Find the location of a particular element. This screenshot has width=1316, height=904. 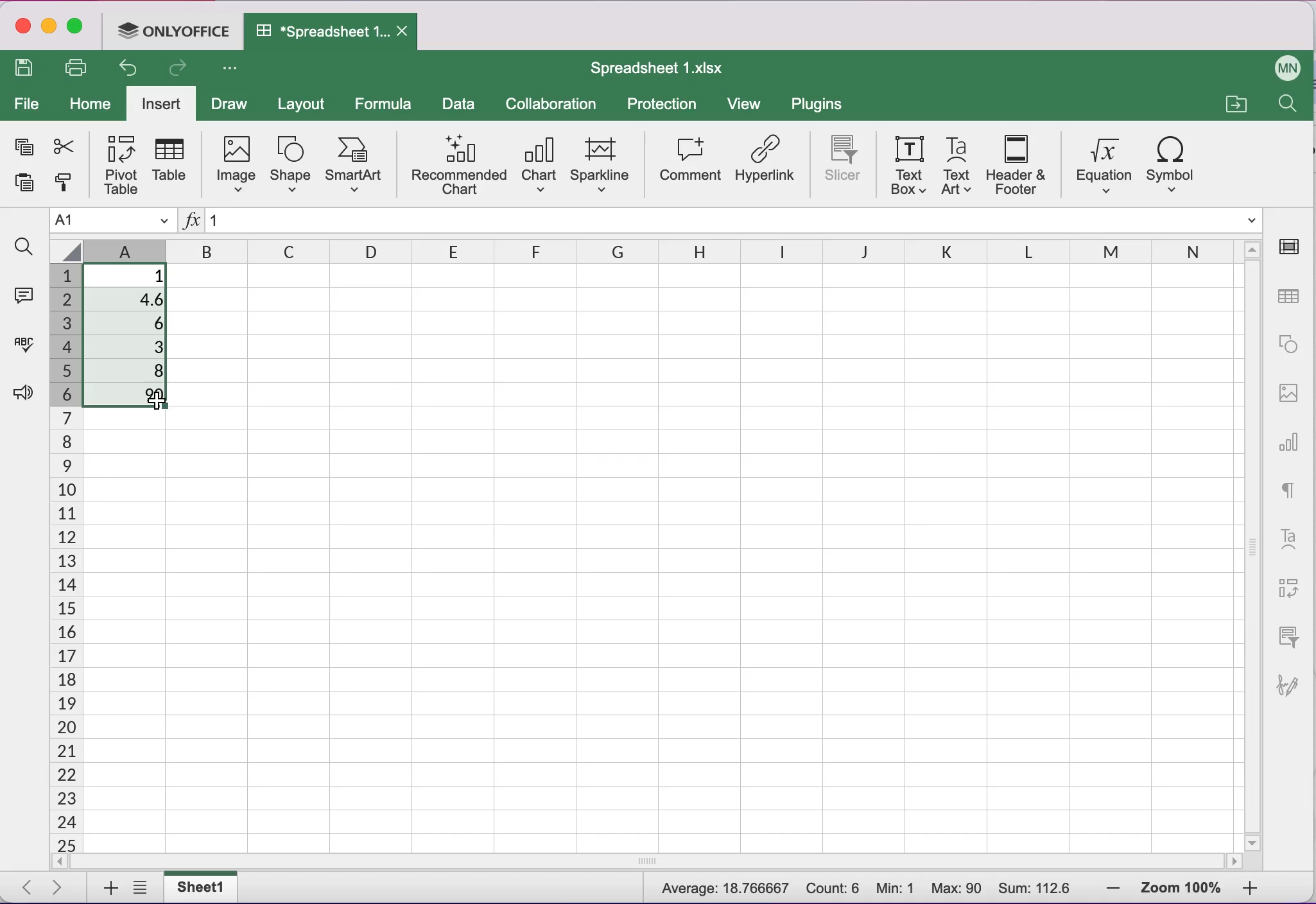

Sum: 112.6 is located at coordinates (1034, 888).